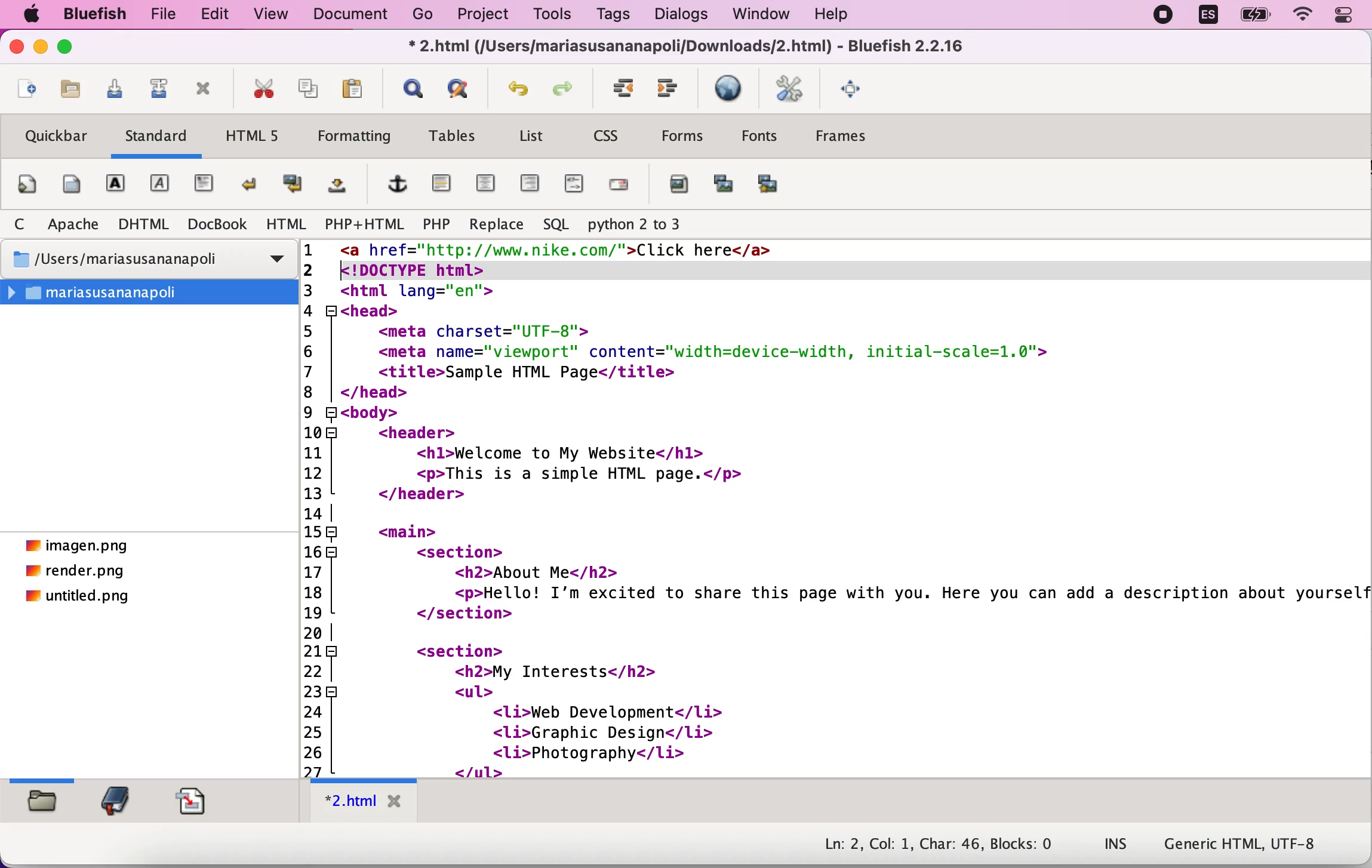 The width and height of the screenshot is (1372, 868). What do you see at coordinates (361, 86) in the screenshot?
I see `paste` at bounding box center [361, 86].